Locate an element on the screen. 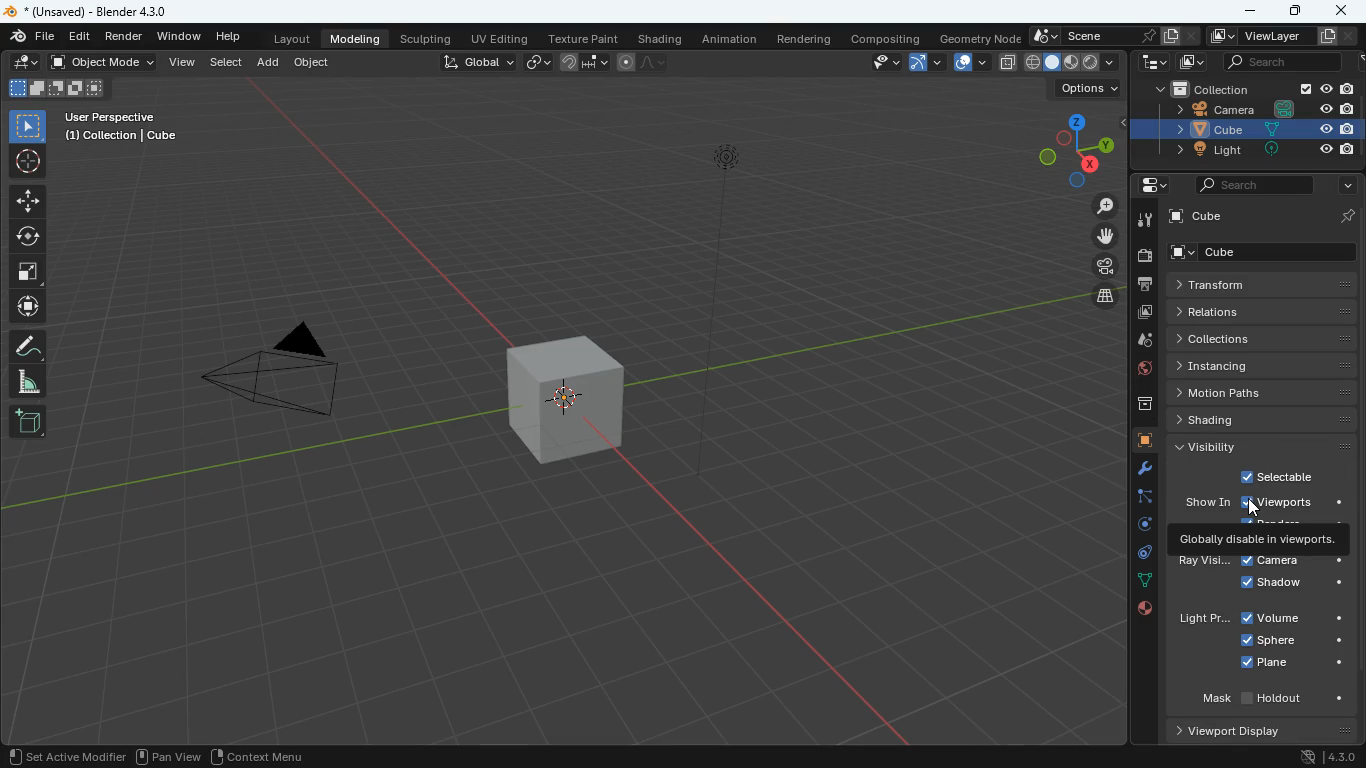 This screenshot has width=1366, height=768. window is located at coordinates (178, 36).